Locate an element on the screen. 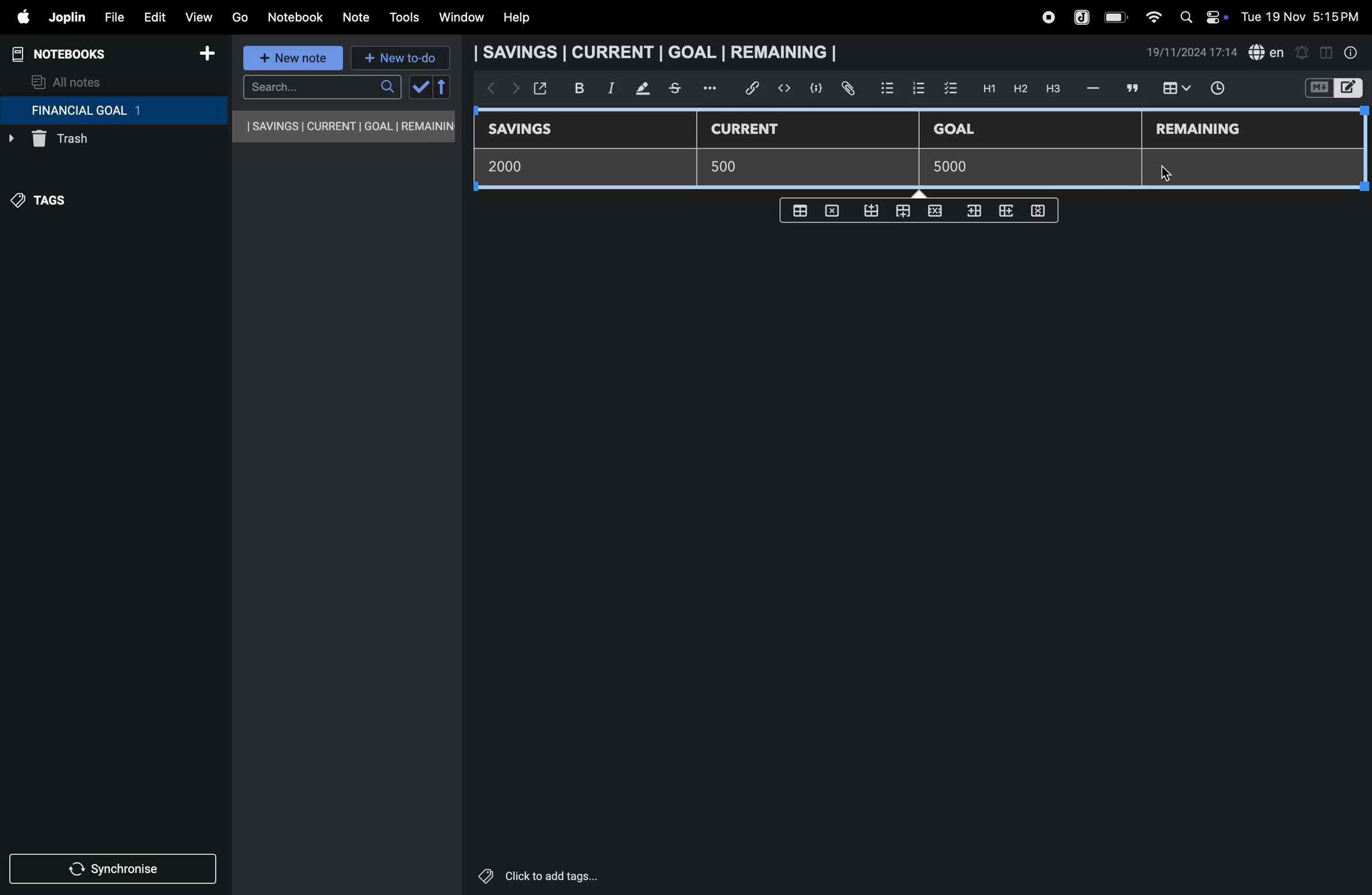 This screenshot has width=1372, height=895. note is located at coordinates (358, 18).